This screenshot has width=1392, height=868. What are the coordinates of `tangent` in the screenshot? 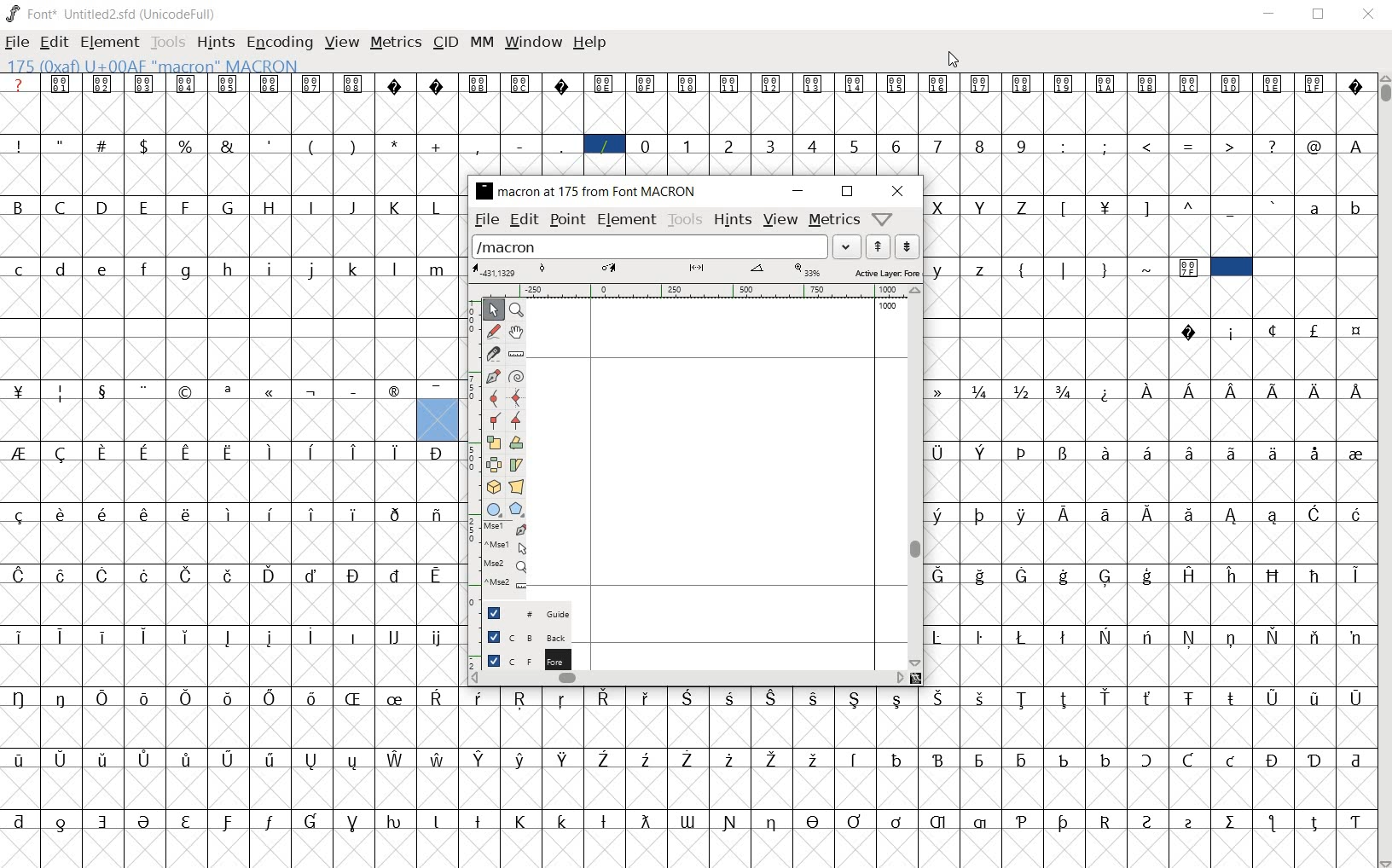 It's located at (513, 420).